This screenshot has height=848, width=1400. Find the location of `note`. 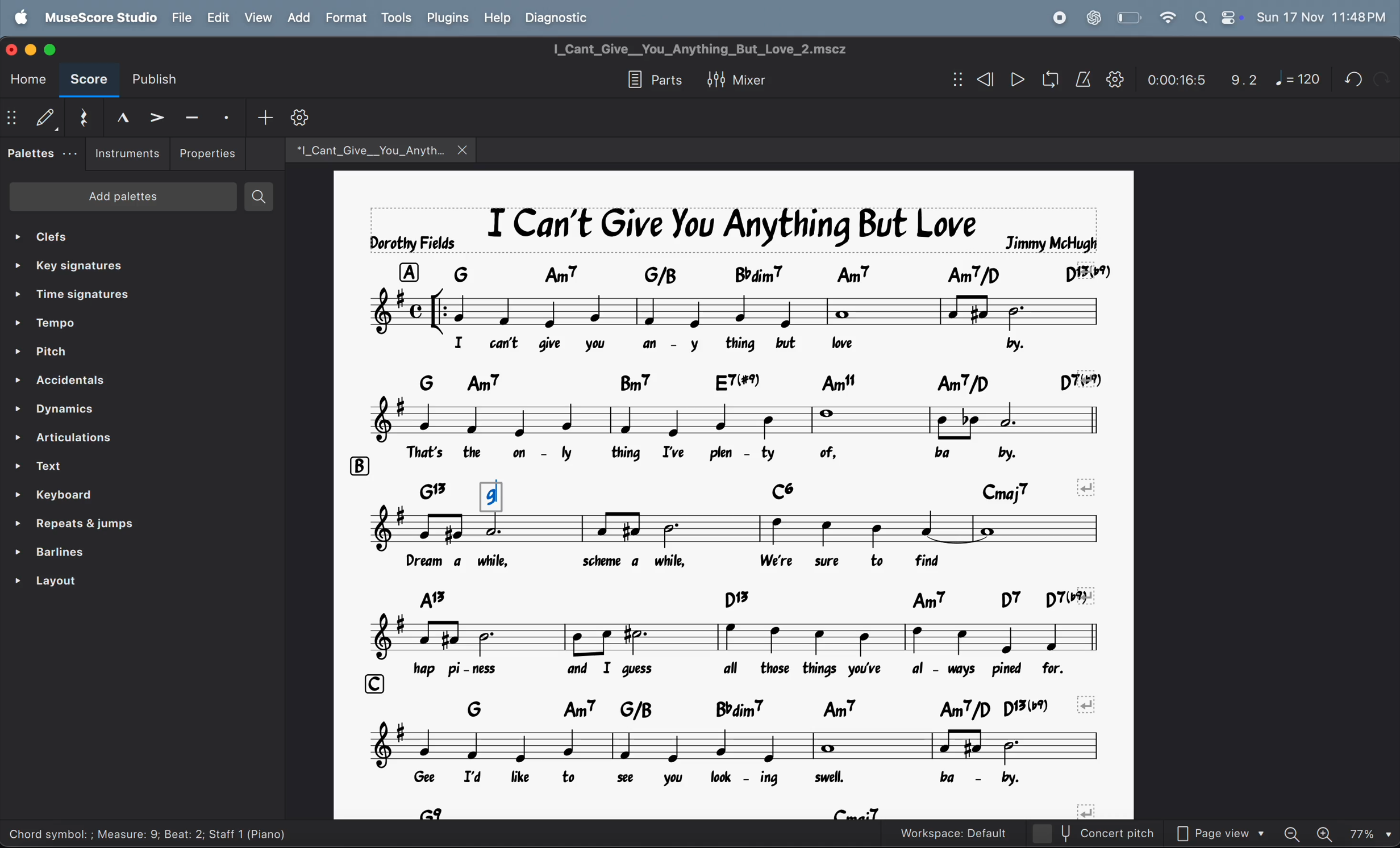

note is located at coordinates (735, 310).